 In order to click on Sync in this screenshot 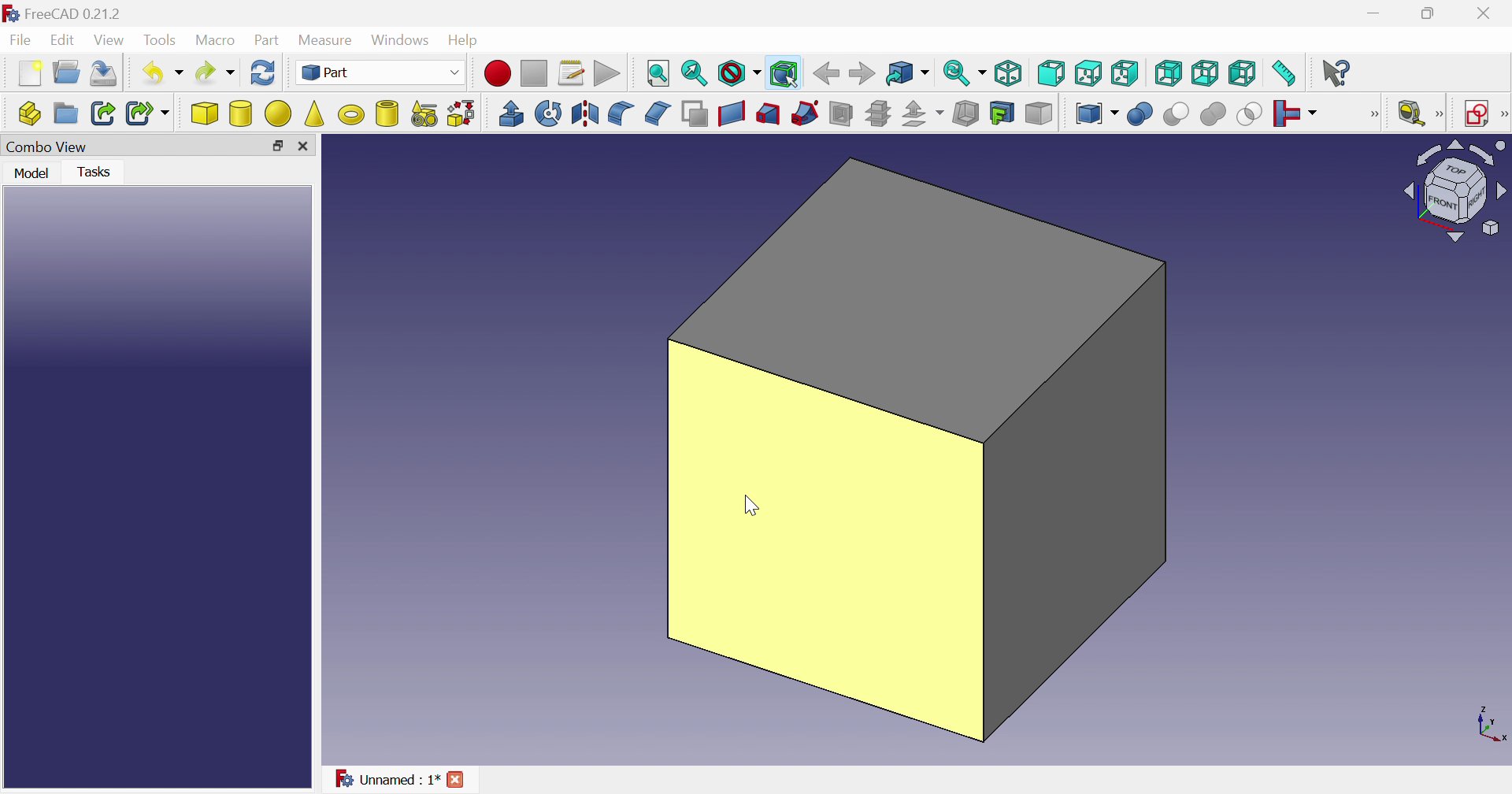, I will do `click(966, 72)`.